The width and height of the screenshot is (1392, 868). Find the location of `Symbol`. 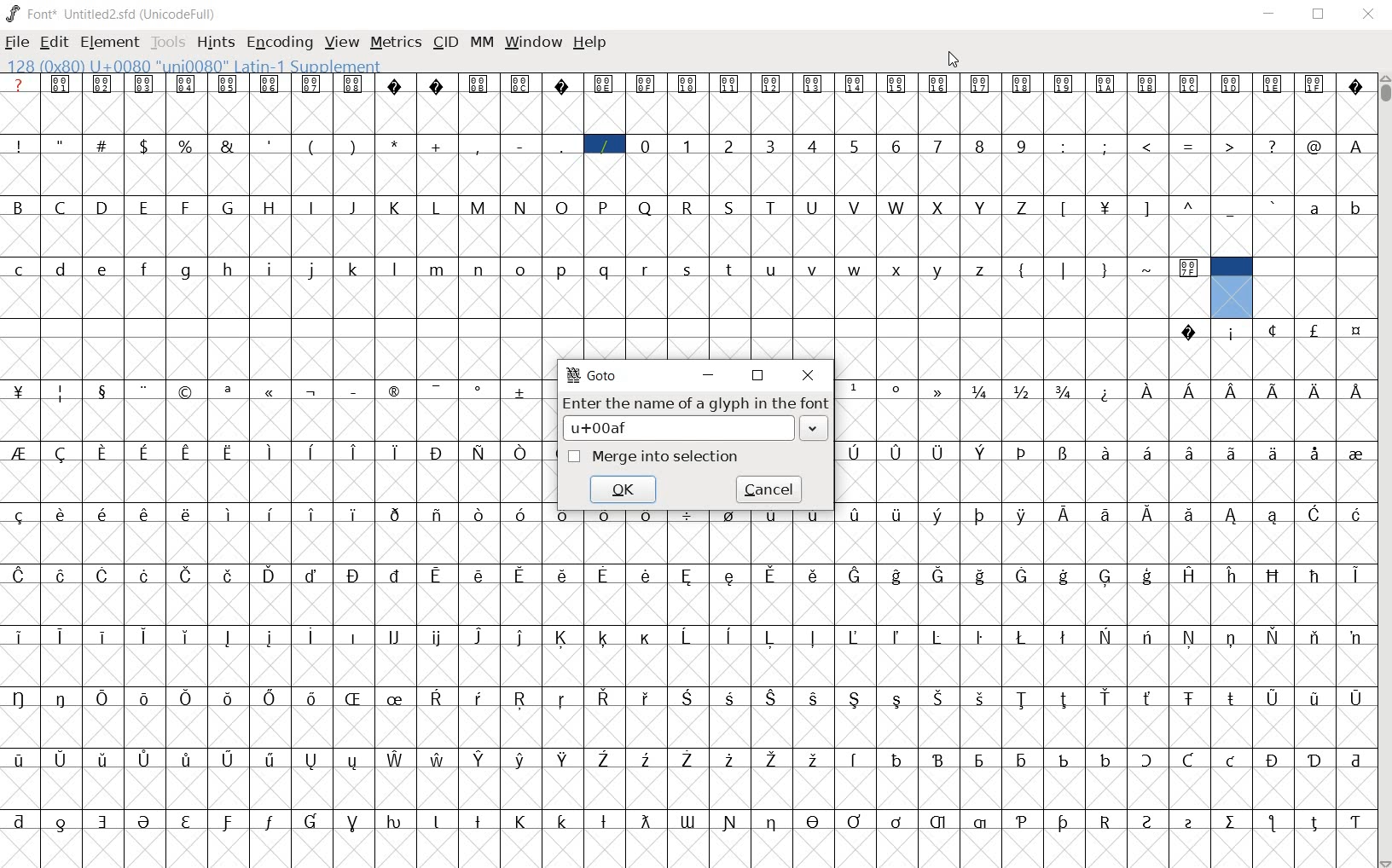

Symbol is located at coordinates (189, 698).